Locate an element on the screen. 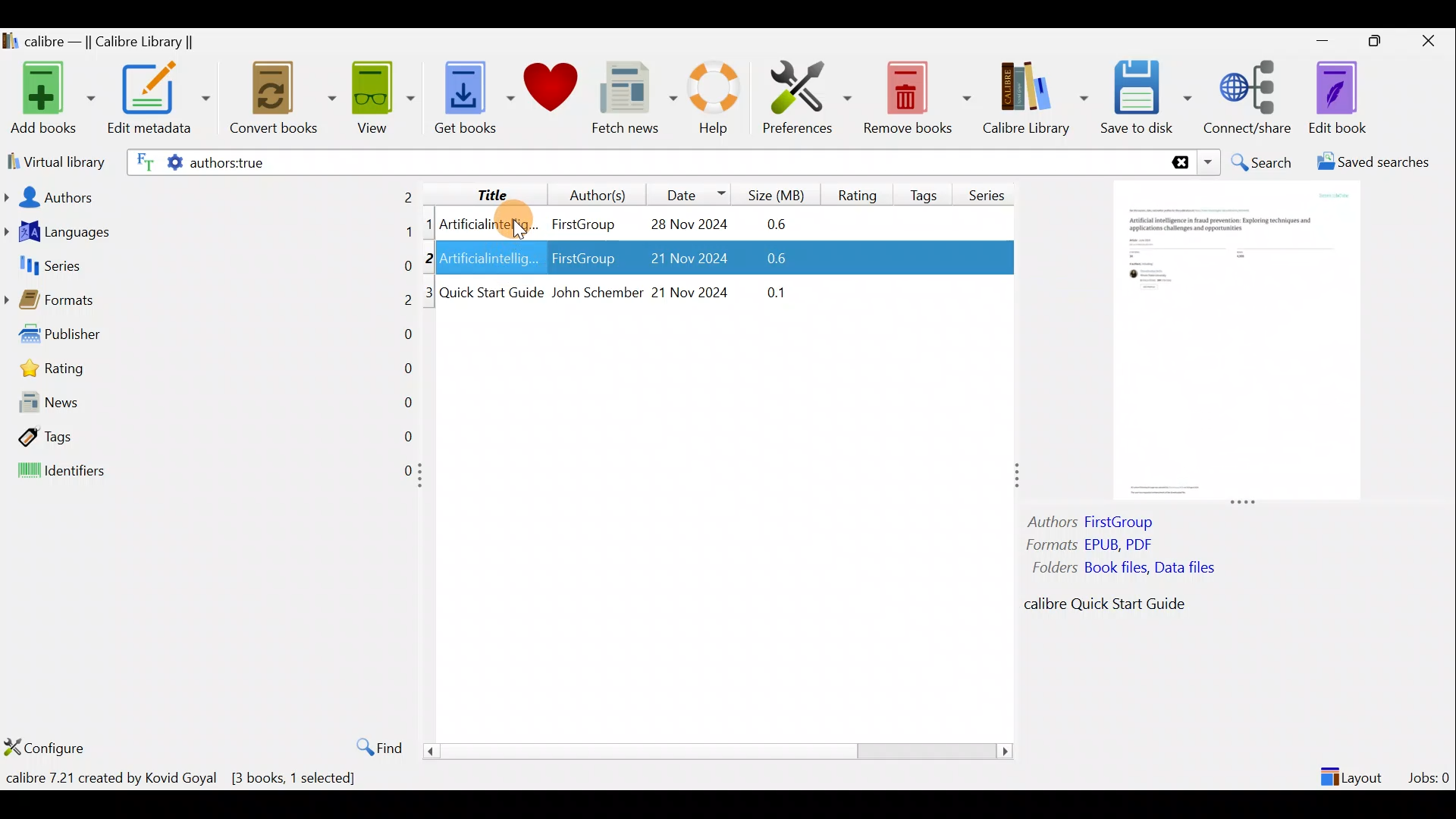 Image resolution: width=1456 pixels, height=819 pixels. Preferences is located at coordinates (807, 96).